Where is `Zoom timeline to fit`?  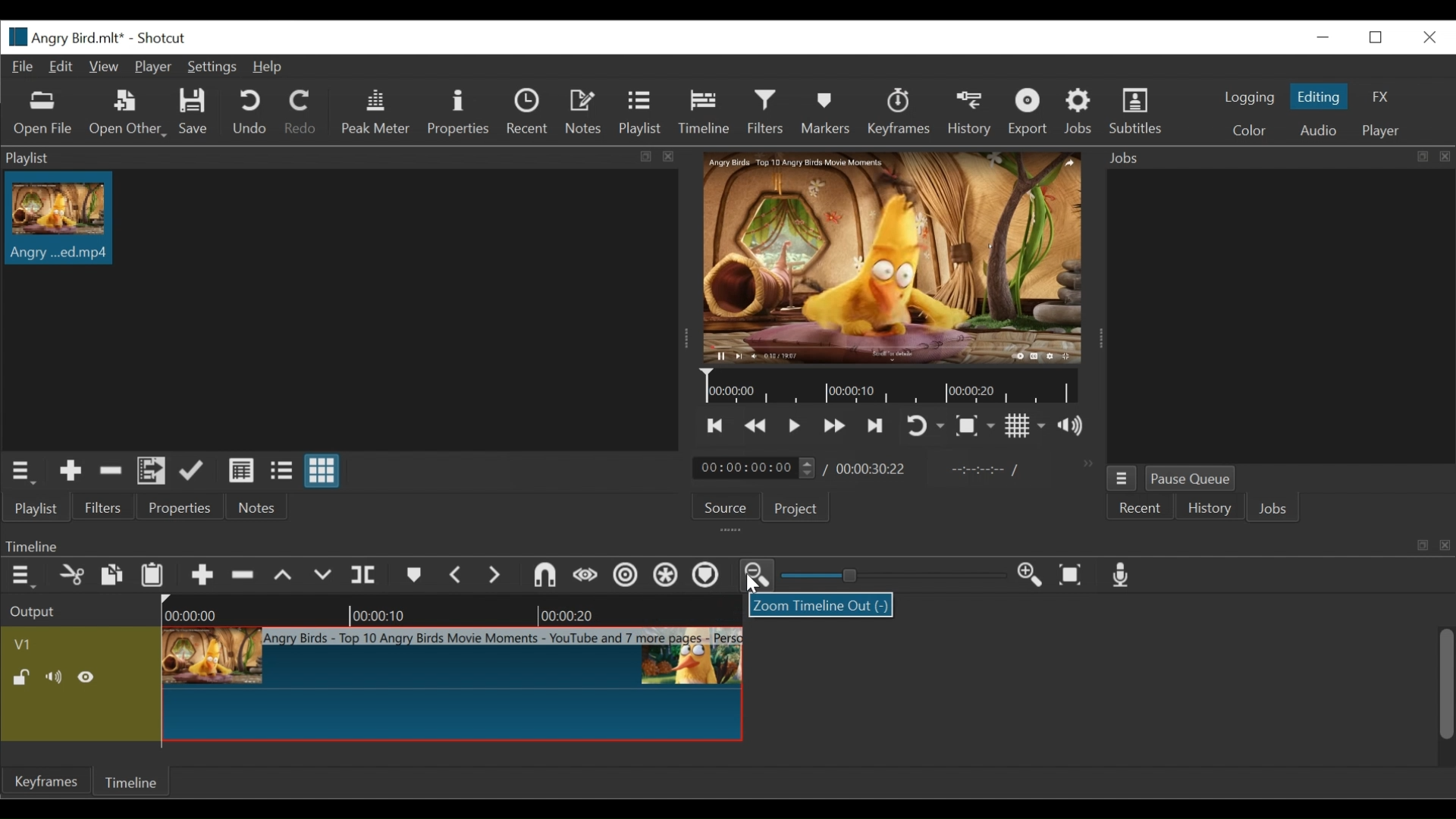
Zoom timeline to fit is located at coordinates (1073, 577).